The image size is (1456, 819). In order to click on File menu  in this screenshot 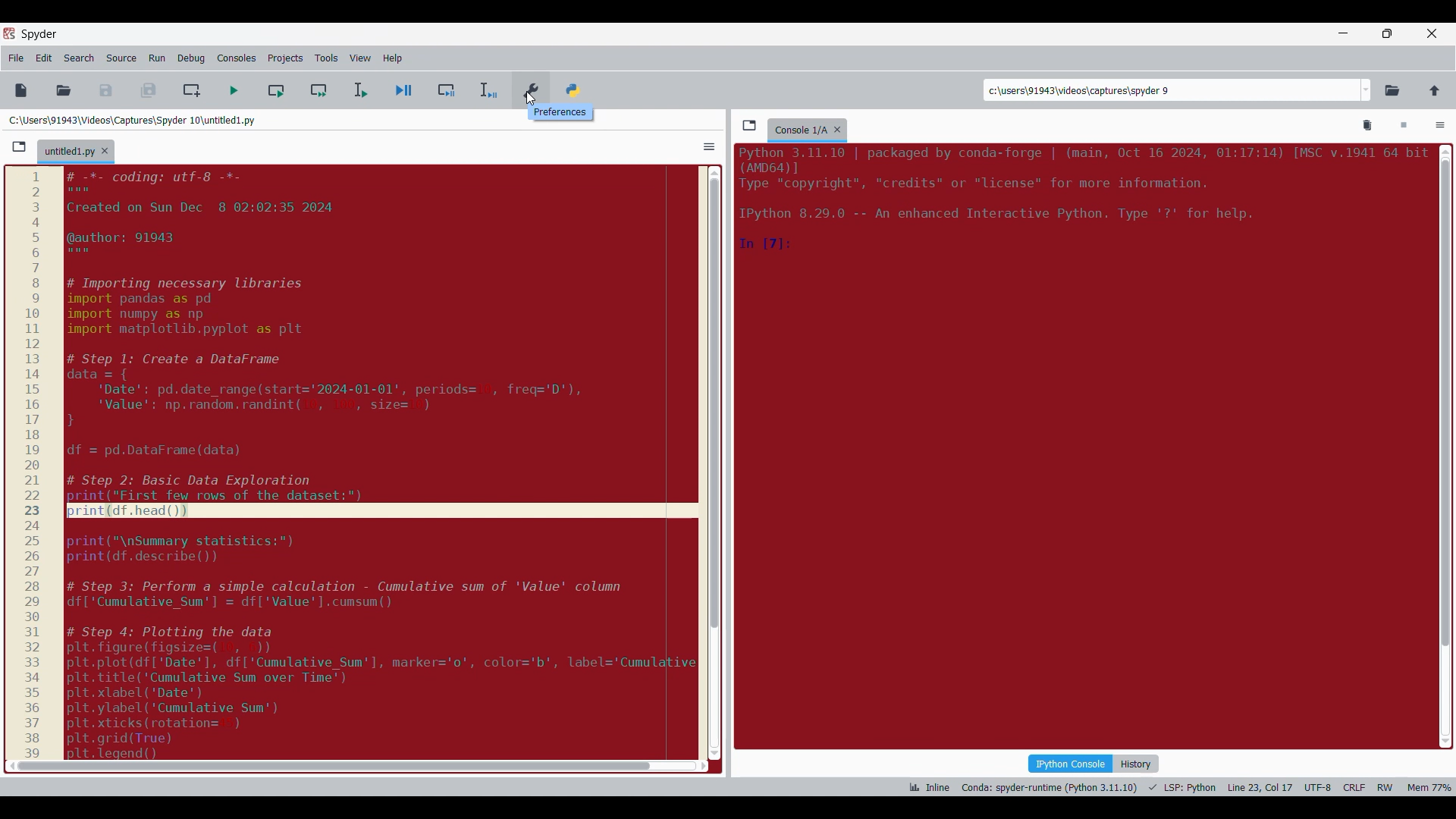, I will do `click(16, 58)`.